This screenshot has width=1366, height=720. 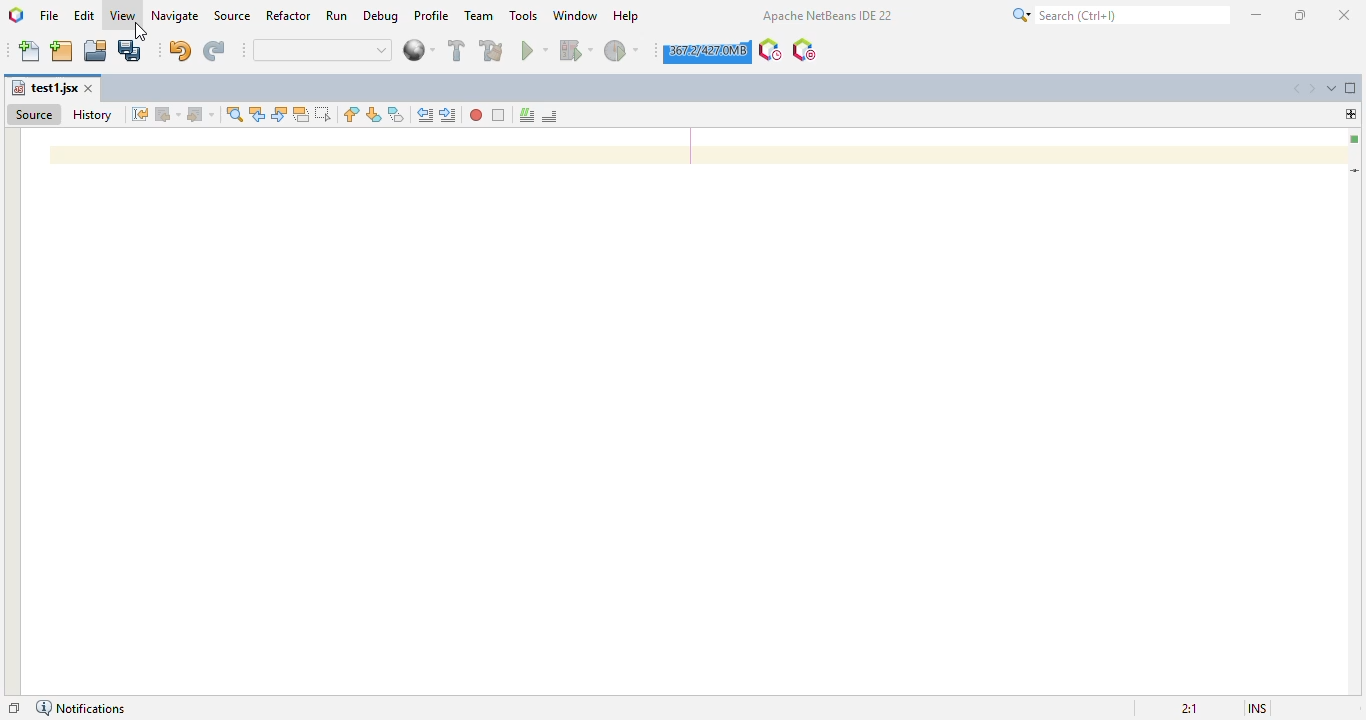 I want to click on pause I/O checks, so click(x=804, y=50).